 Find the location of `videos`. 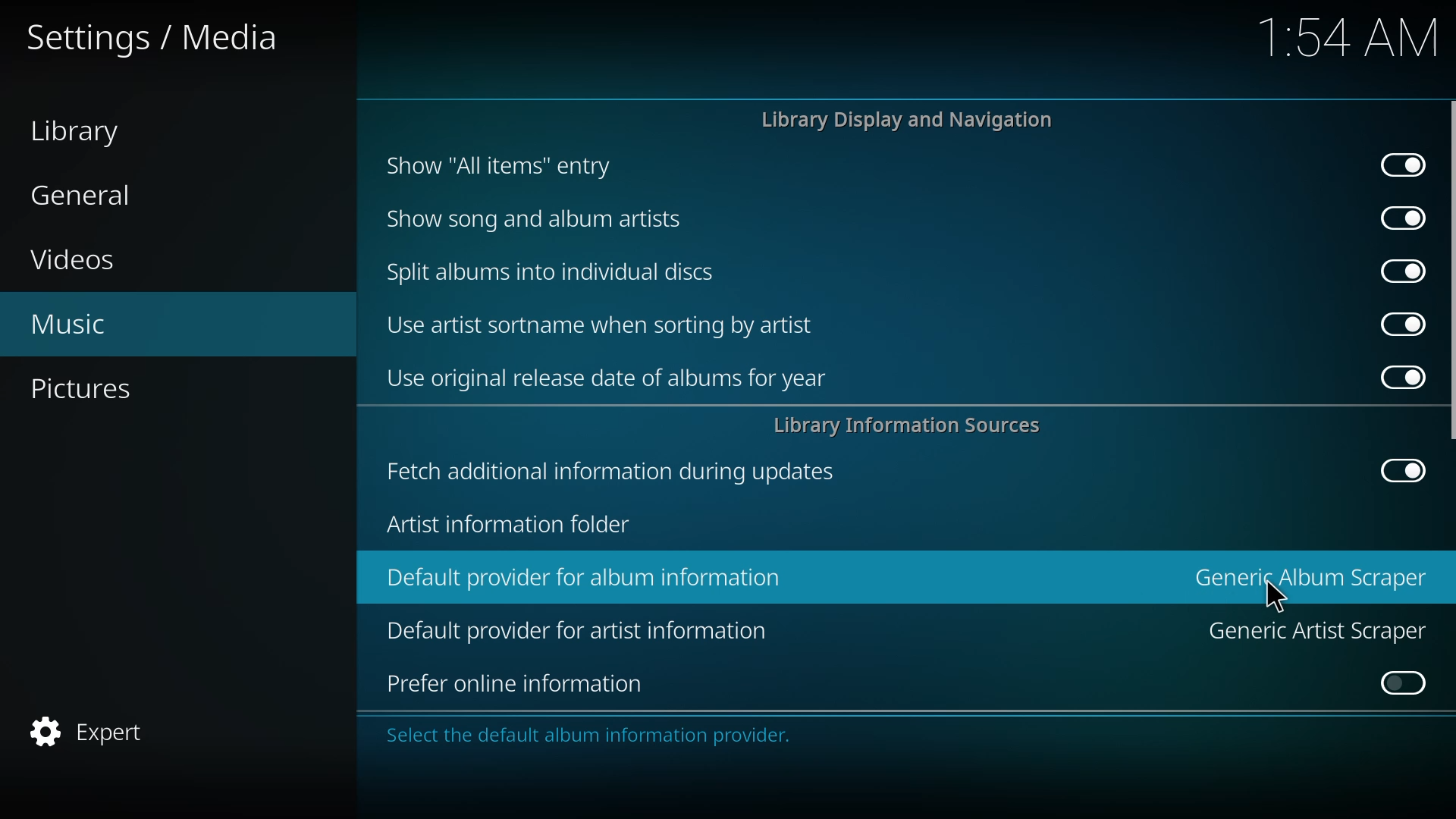

videos is located at coordinates (79, 260).